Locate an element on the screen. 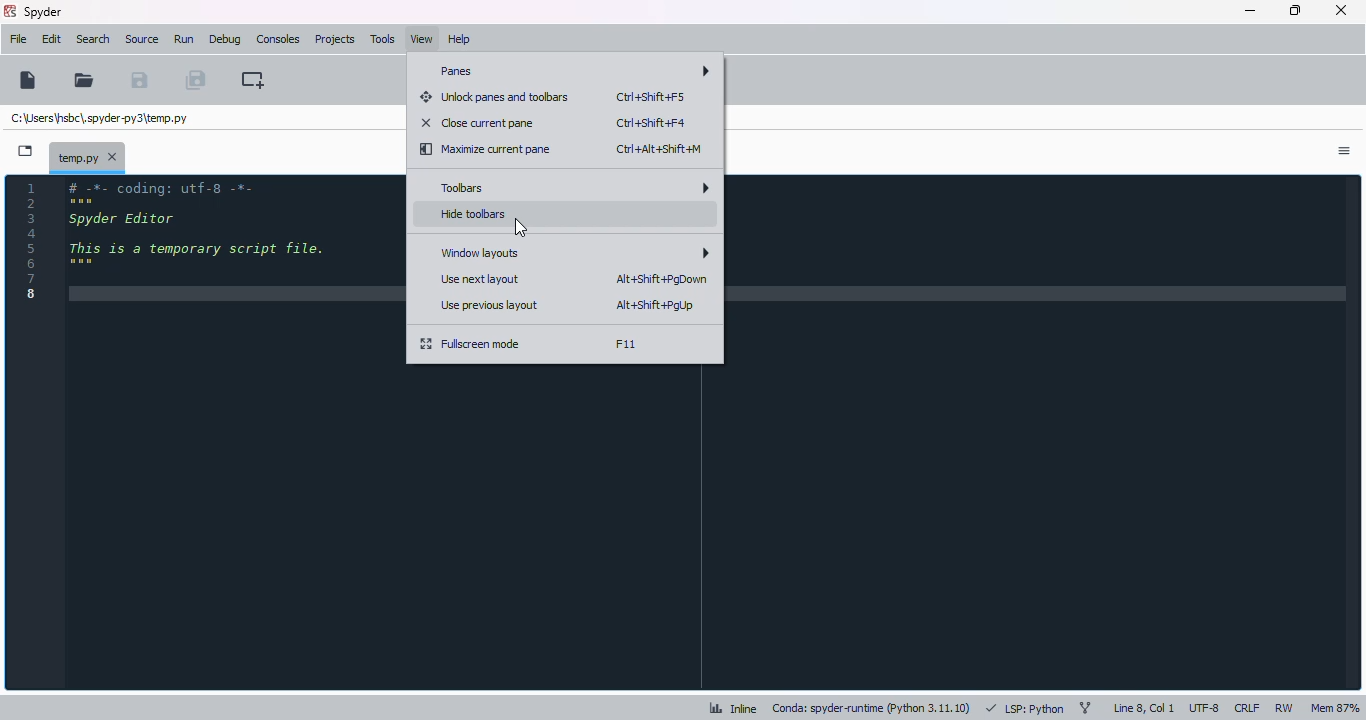 The height and width of the screenshot is (720, 1366). consoles is located at coordinates (278, 40).